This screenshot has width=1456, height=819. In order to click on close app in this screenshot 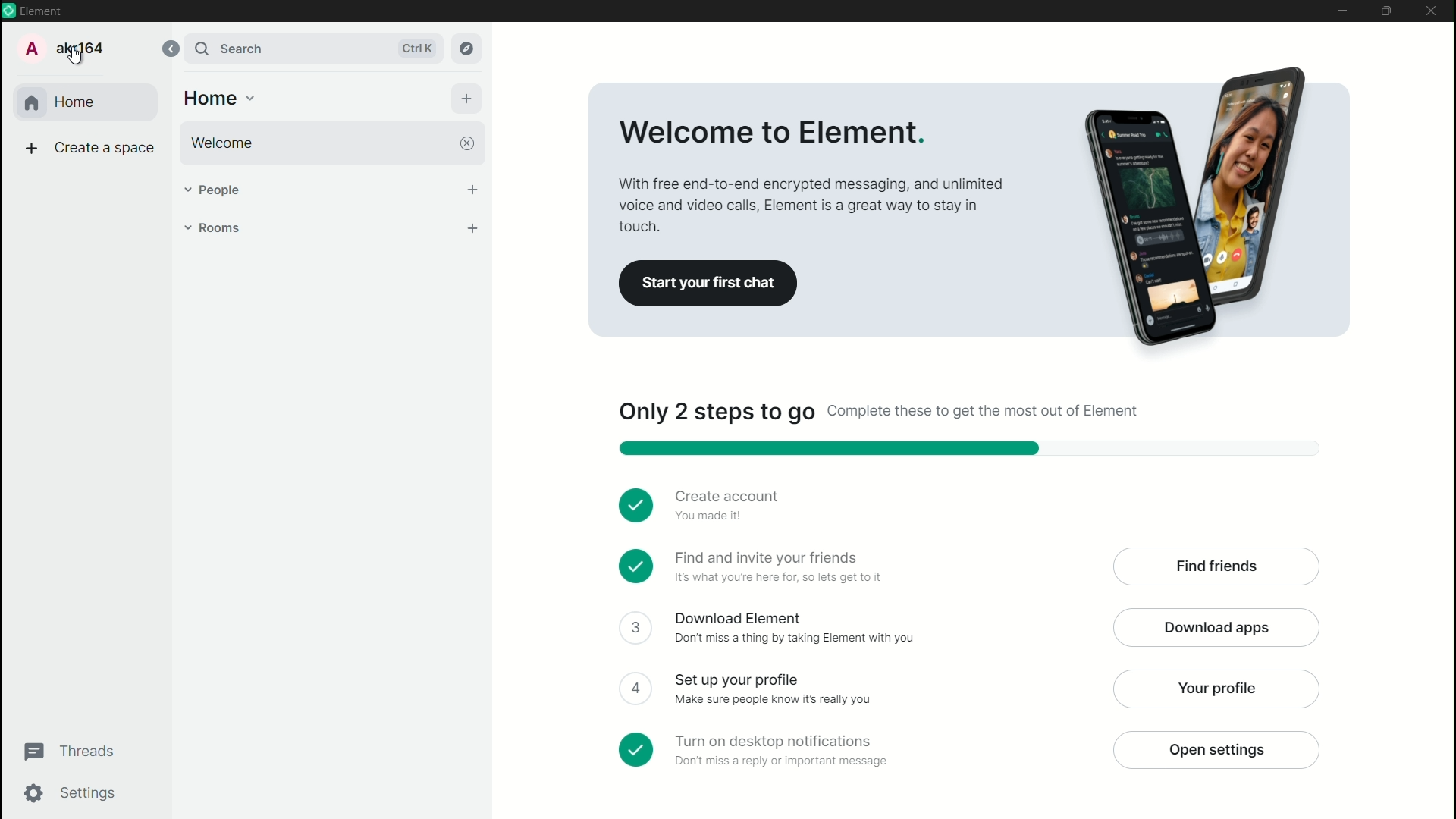, I will do `click(1429, 11)`.